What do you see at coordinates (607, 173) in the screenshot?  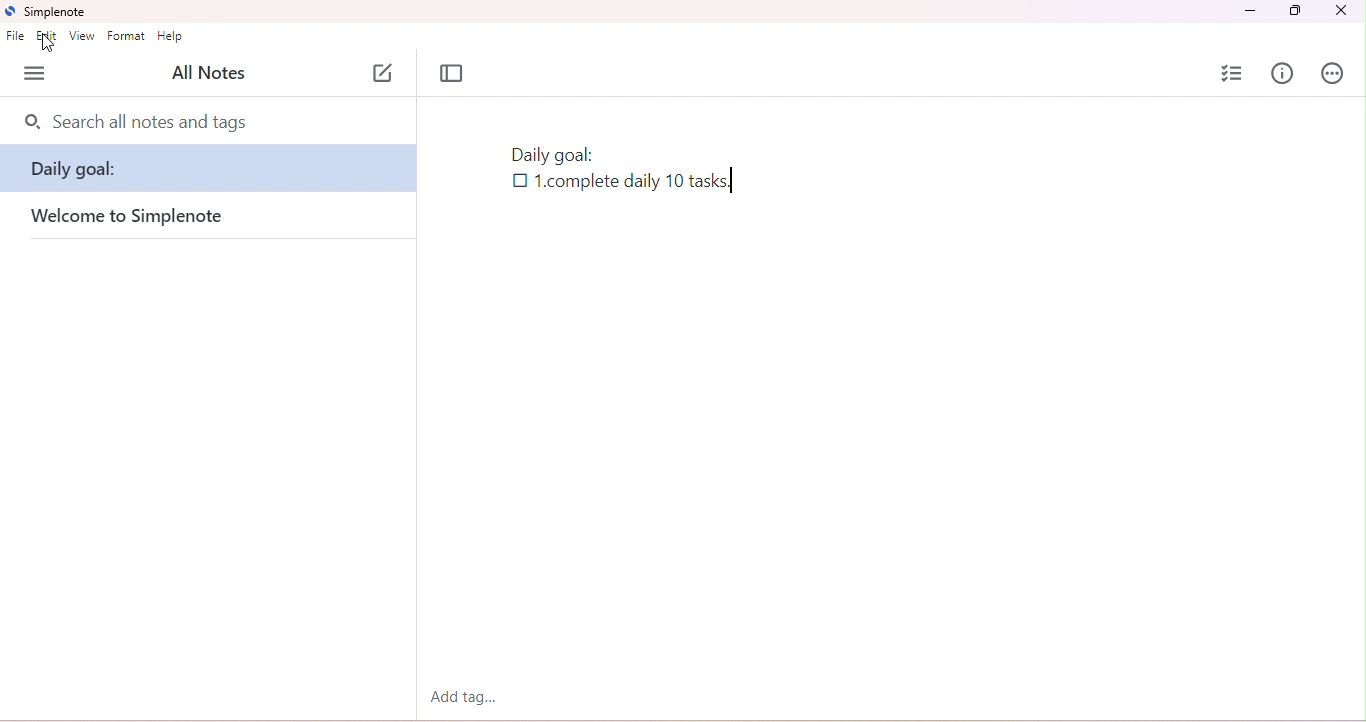 I see `daily goals list` at bounding box center [607, 173].